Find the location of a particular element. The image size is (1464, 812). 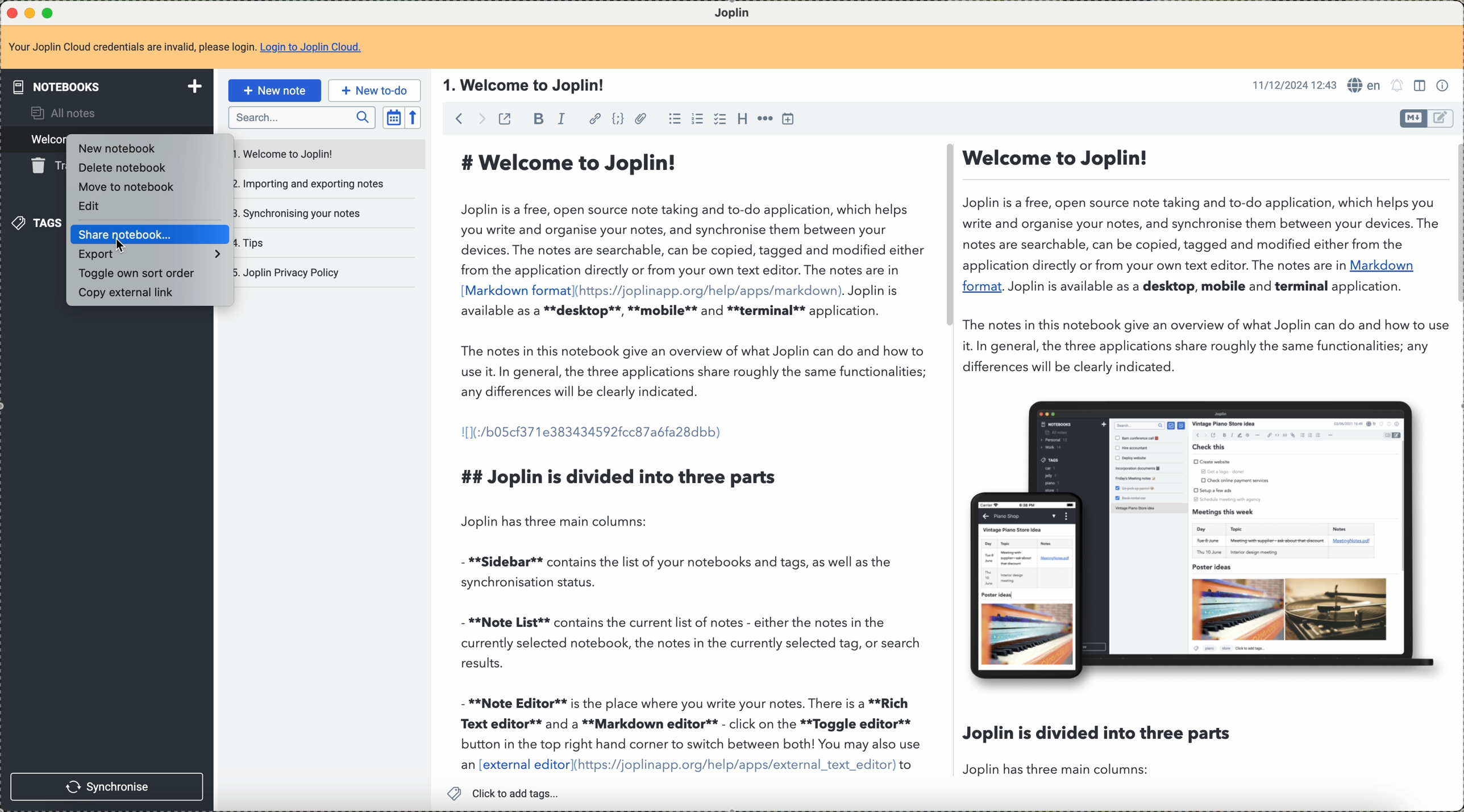

numbered list is located at coordinates (697, 119).